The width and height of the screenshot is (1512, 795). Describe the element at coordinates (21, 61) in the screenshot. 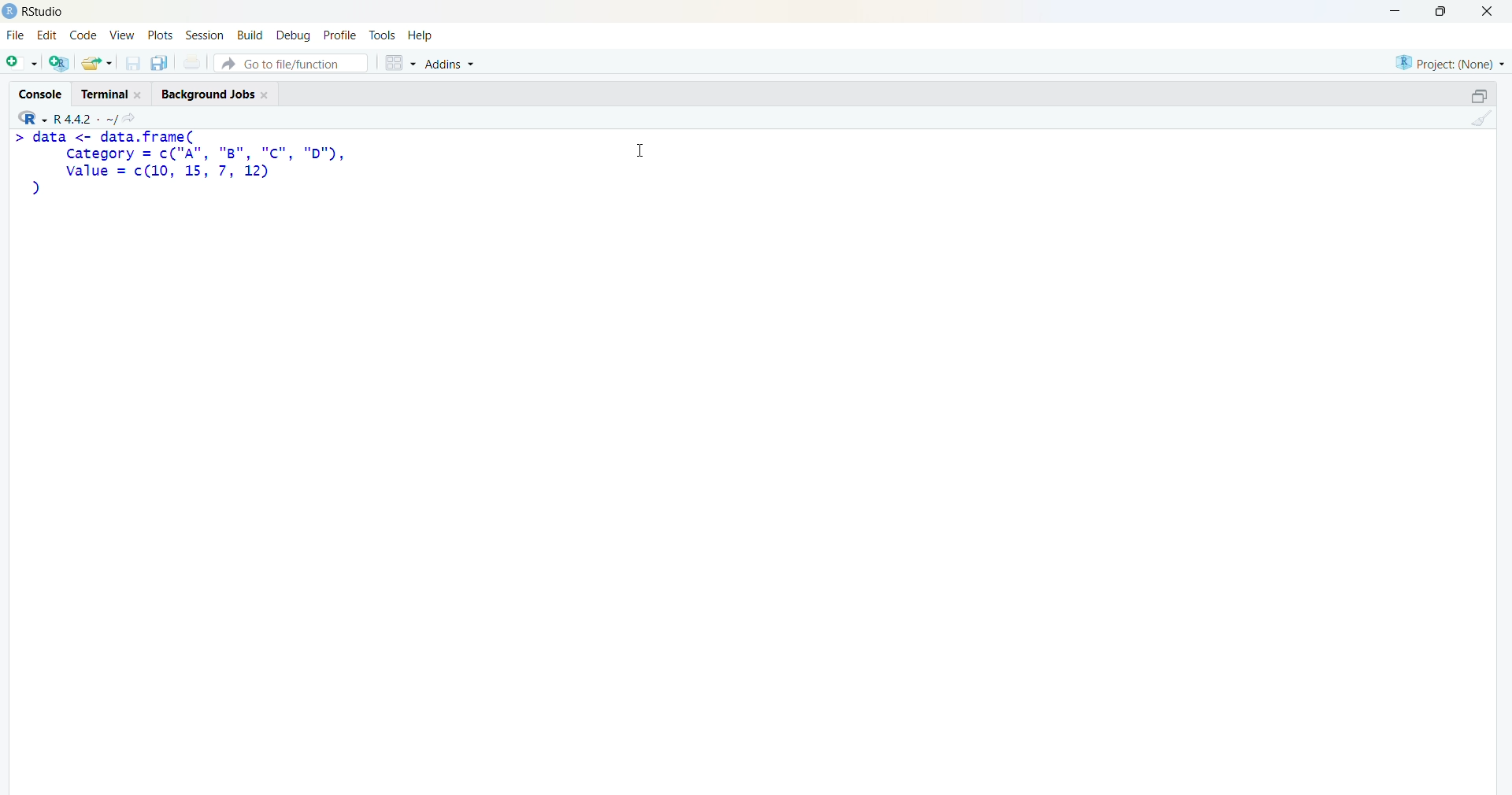

I see `new file` at that location.